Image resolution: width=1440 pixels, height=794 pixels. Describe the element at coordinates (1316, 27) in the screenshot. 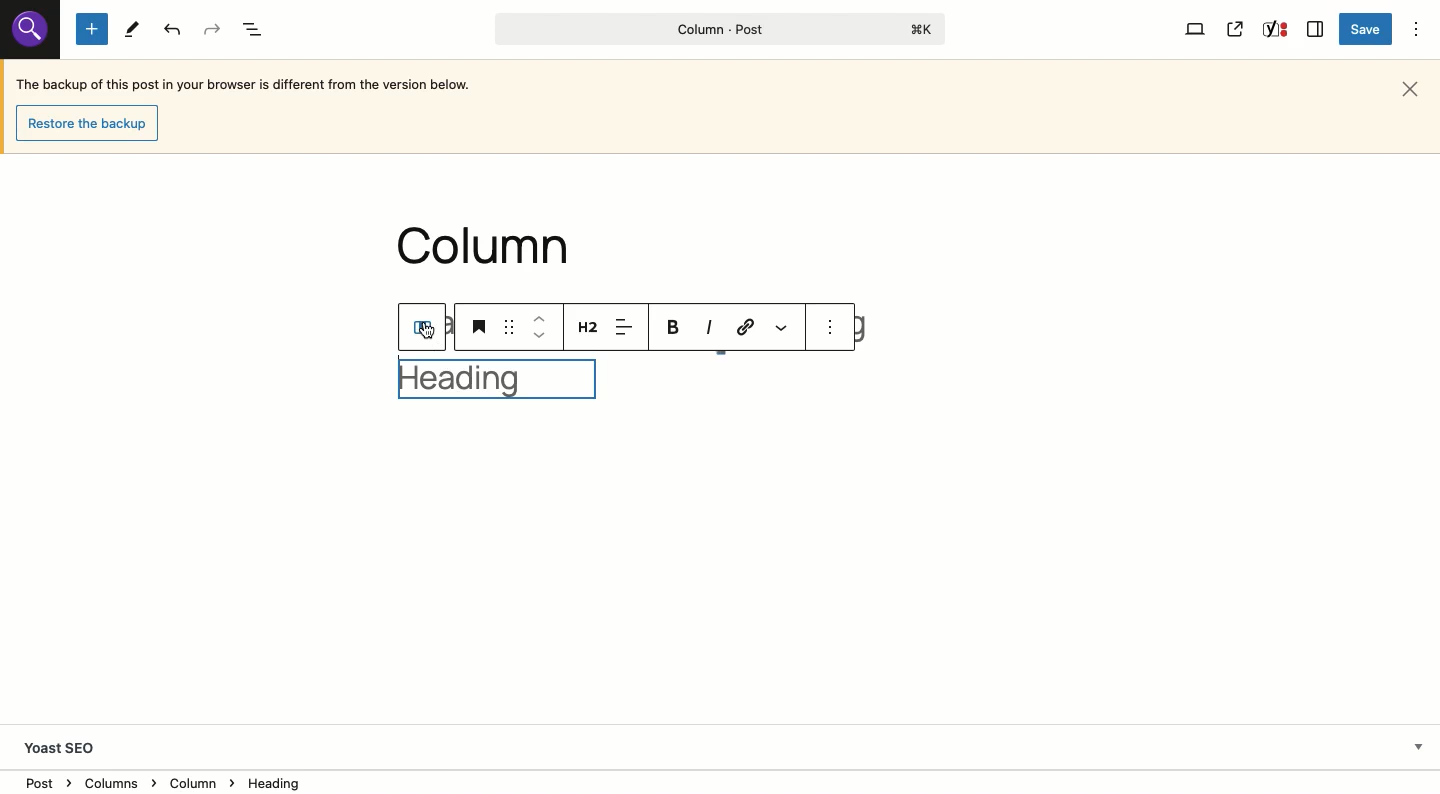

I see `Sidebar` at that location.